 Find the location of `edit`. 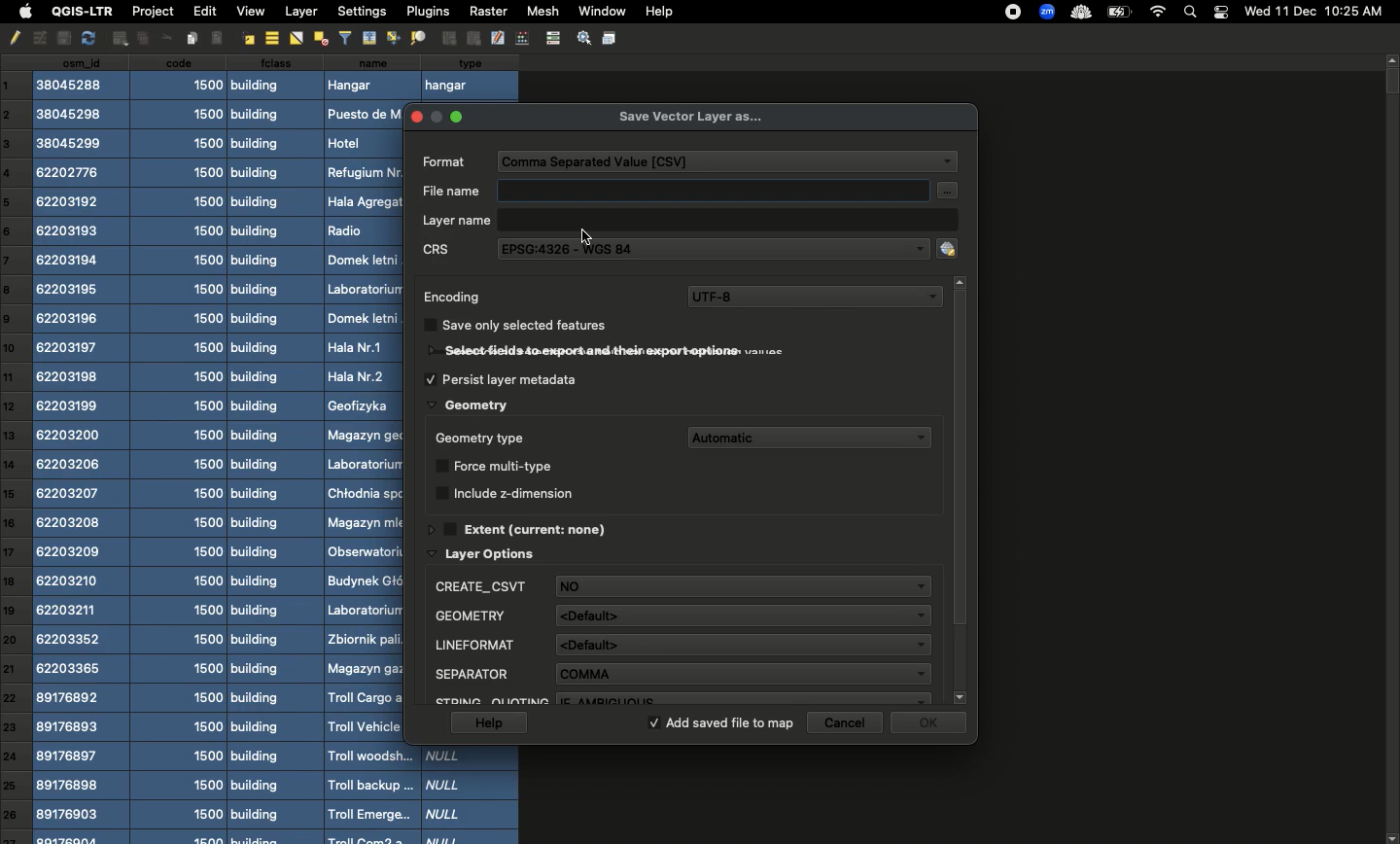

edit is located at coordinates (498, 38).